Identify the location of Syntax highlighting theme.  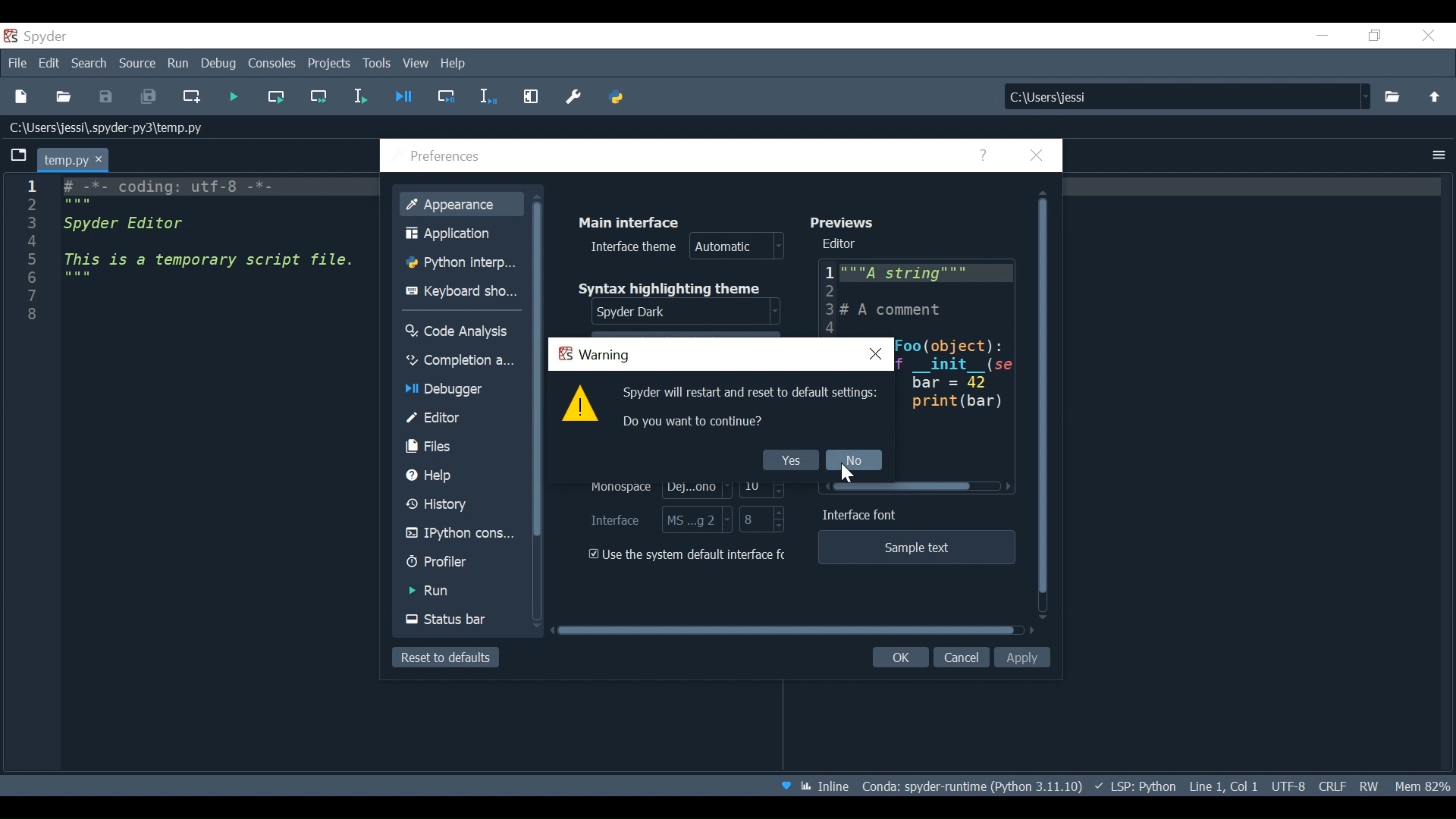
(671, 288).